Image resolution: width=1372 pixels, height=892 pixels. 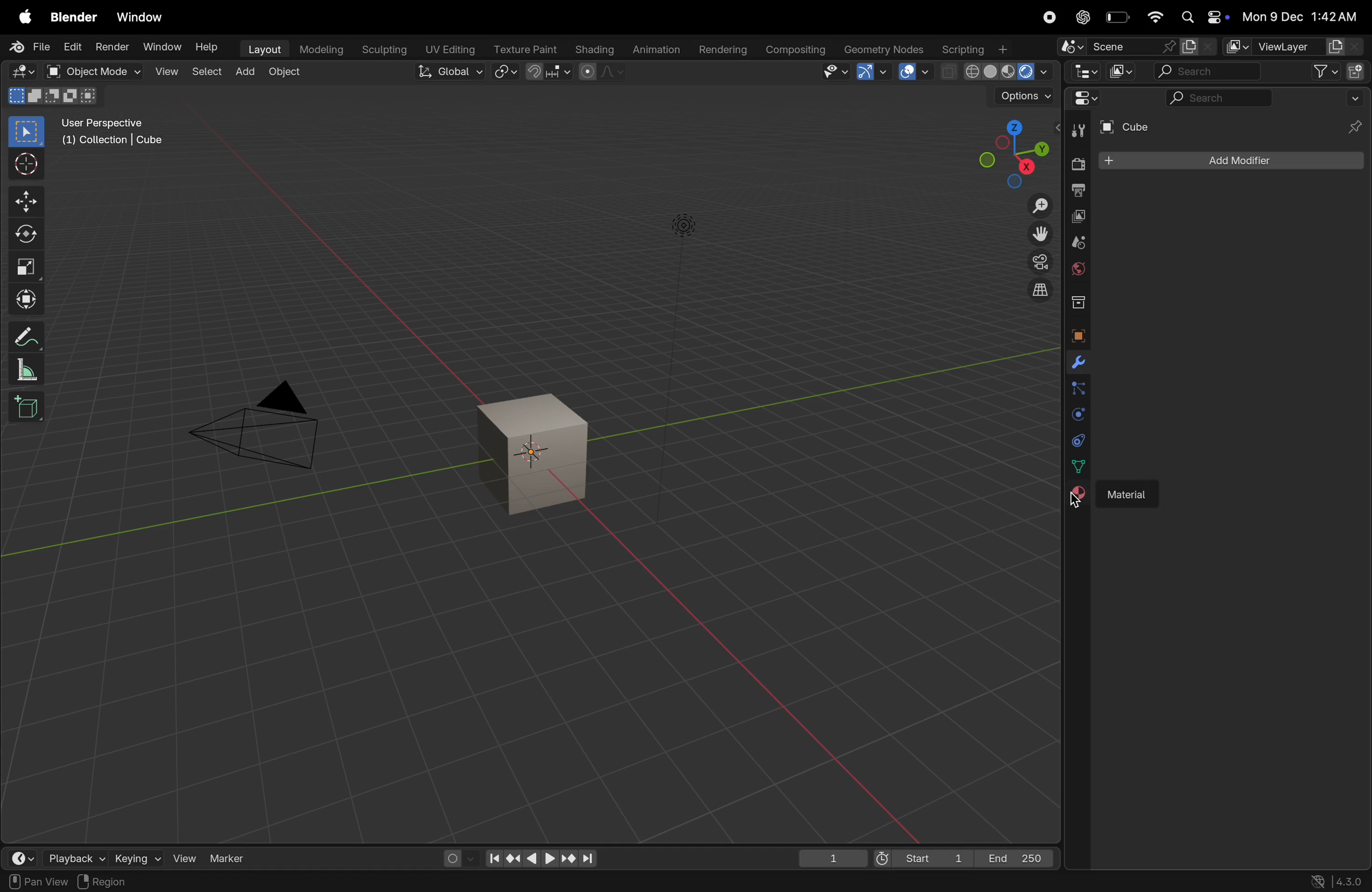 I want to click on apple widgets, so click(x=1203, y=17).